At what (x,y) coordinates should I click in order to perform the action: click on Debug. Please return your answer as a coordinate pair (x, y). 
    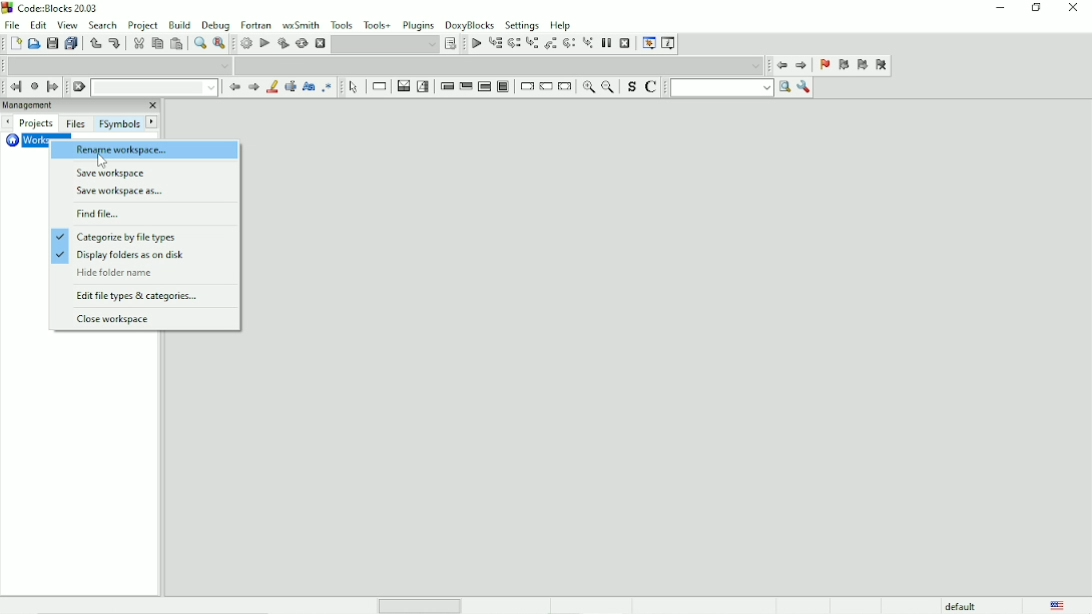
    Looking at the image, I should click on (216, 24).